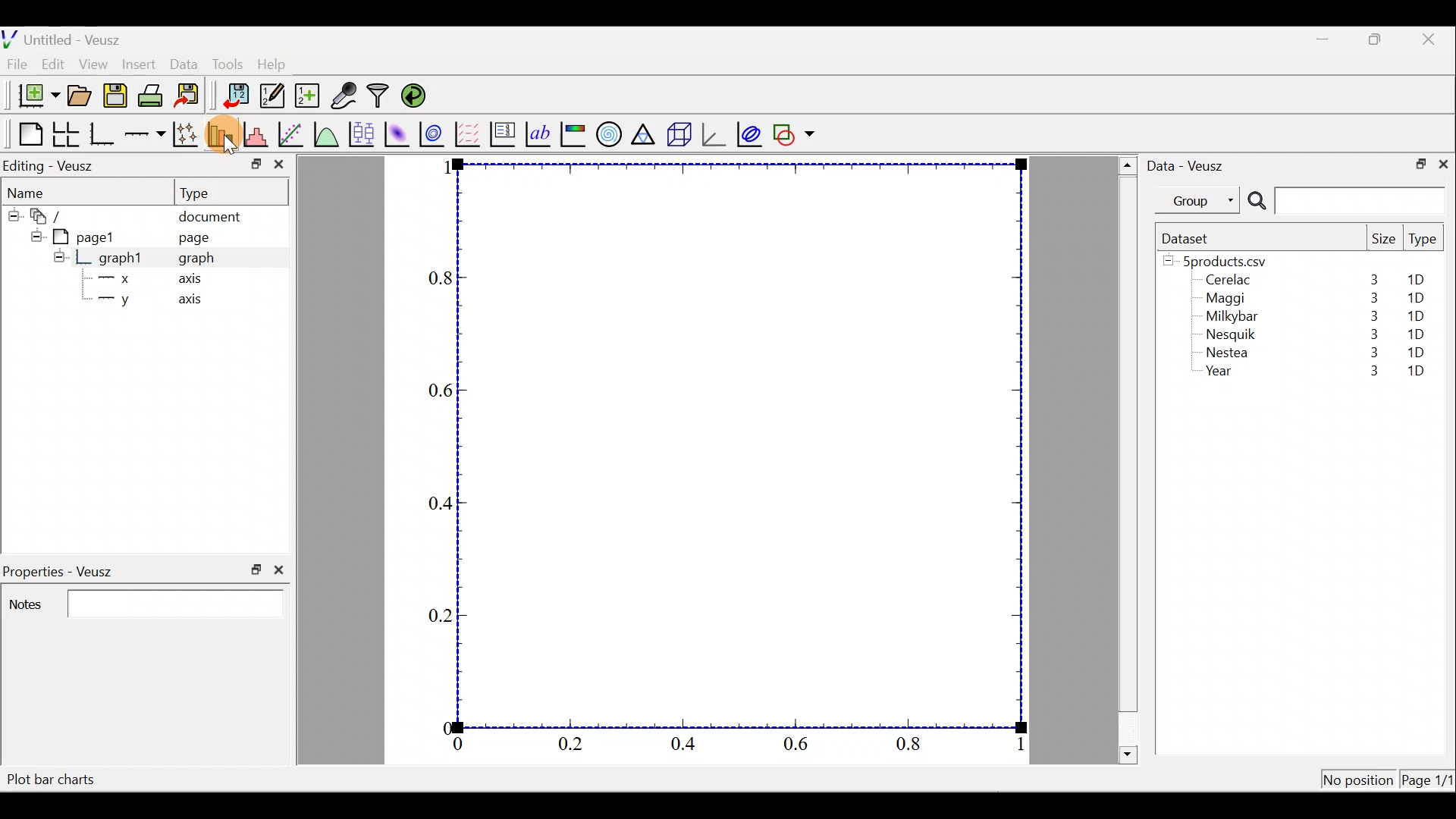 The image size is (1456, 819). I want to click on 1, so click(1018, 747).